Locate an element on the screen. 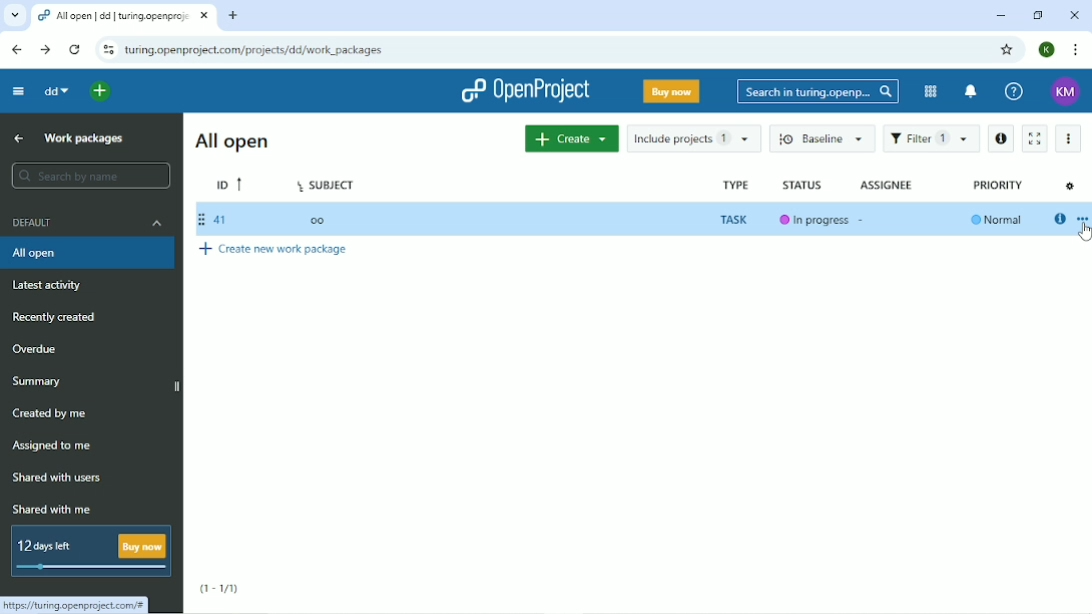 This screenshot has height=614, width=1092. OpenProject is located at coordinates (528, 91).